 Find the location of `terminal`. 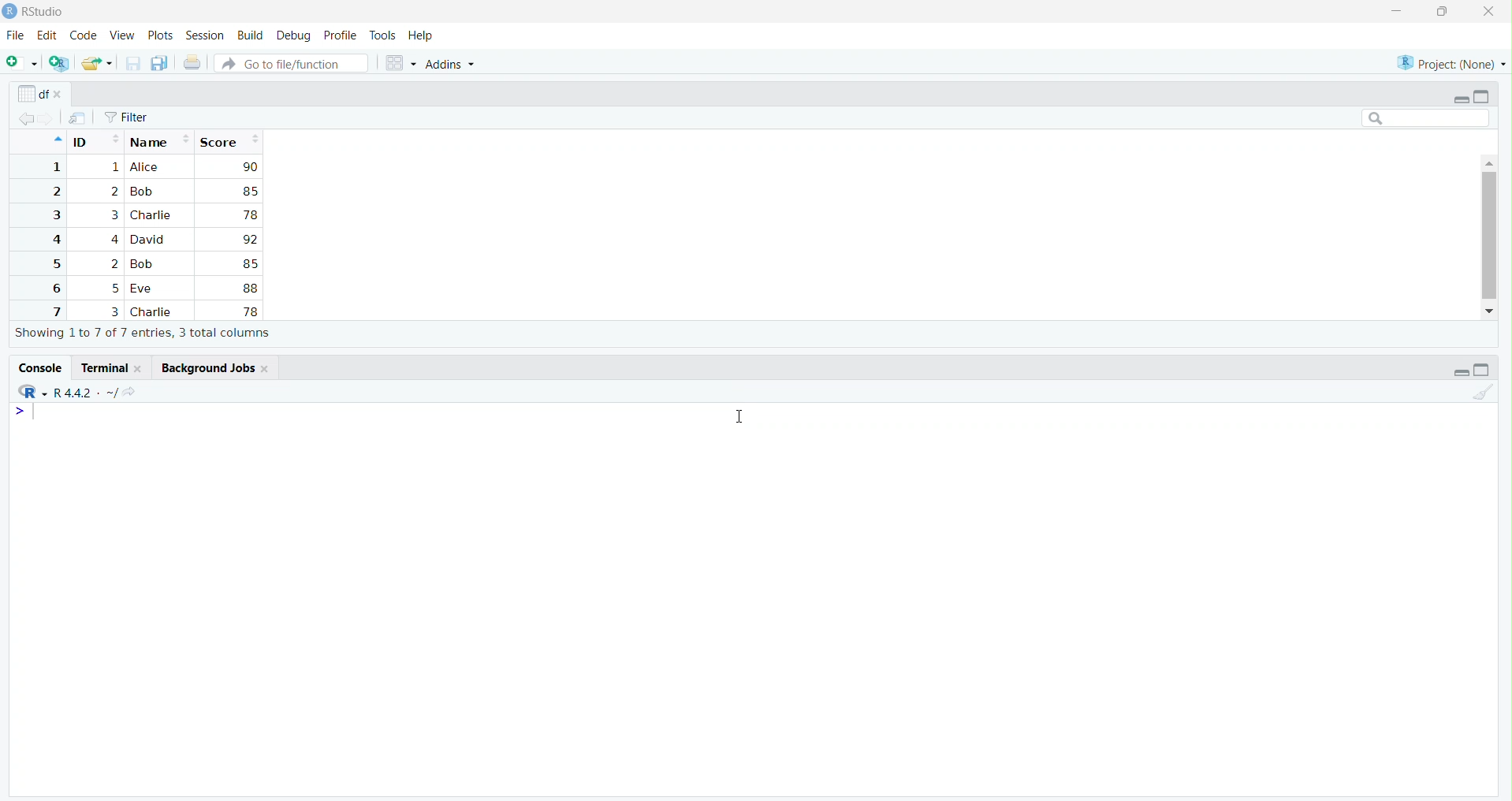

terminal is located at coordinates (102, 368).